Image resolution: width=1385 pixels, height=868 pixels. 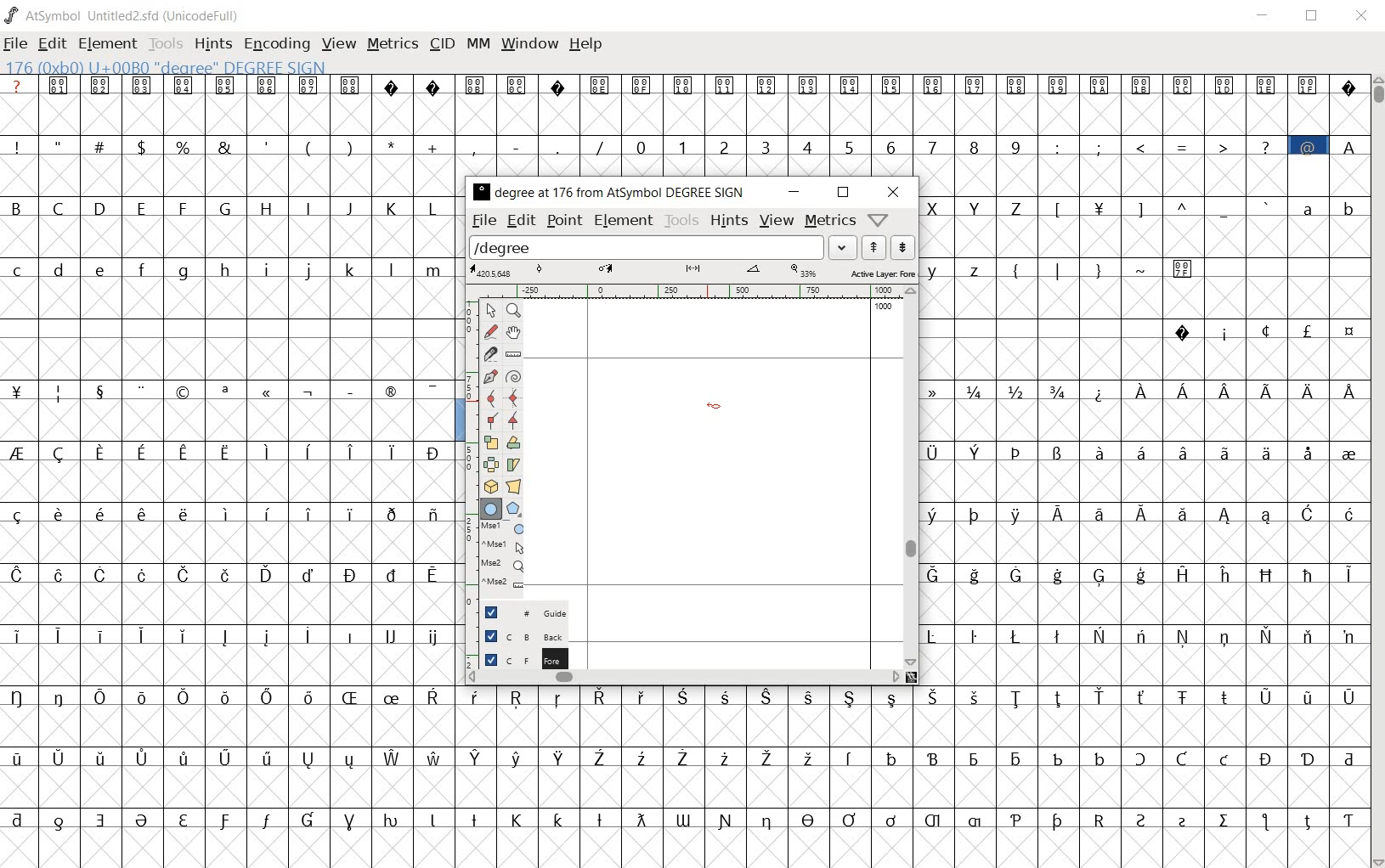 What do you see at coordinates (490, 310) in the screenshot?
I see `pointer` at bounding box center [490, 310].